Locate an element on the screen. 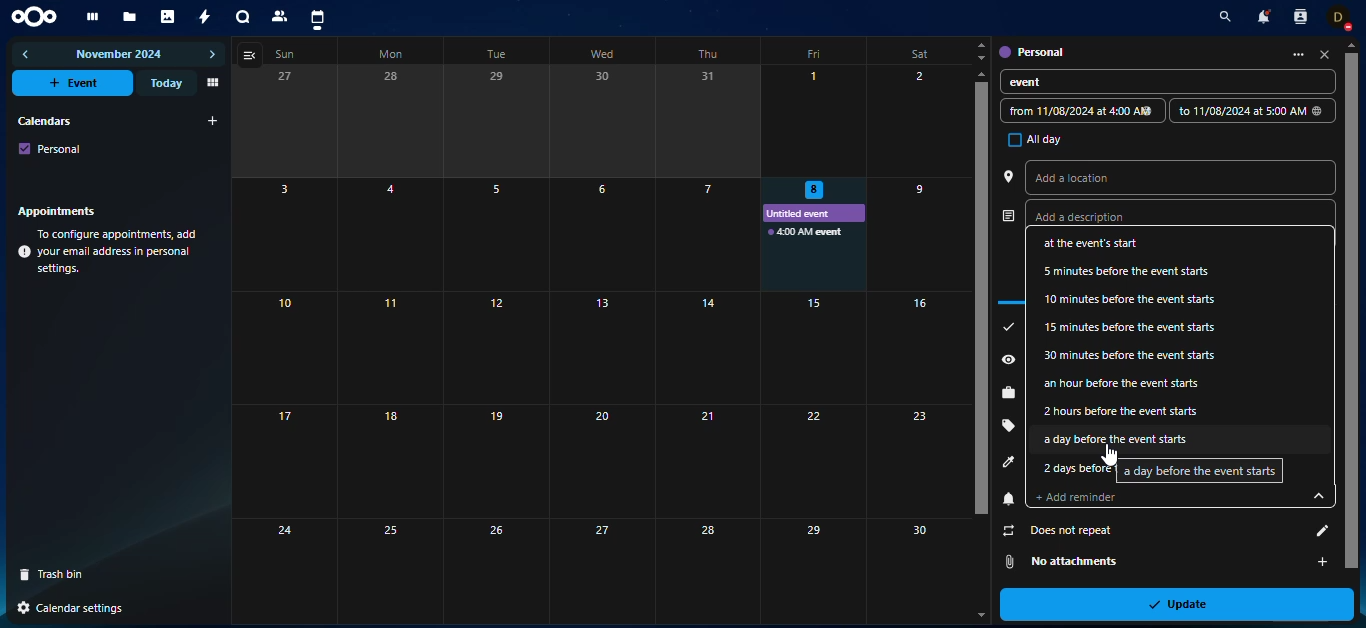 The height and width of the screenshot is (628, 1366). today is located at coordinates (164, 83).